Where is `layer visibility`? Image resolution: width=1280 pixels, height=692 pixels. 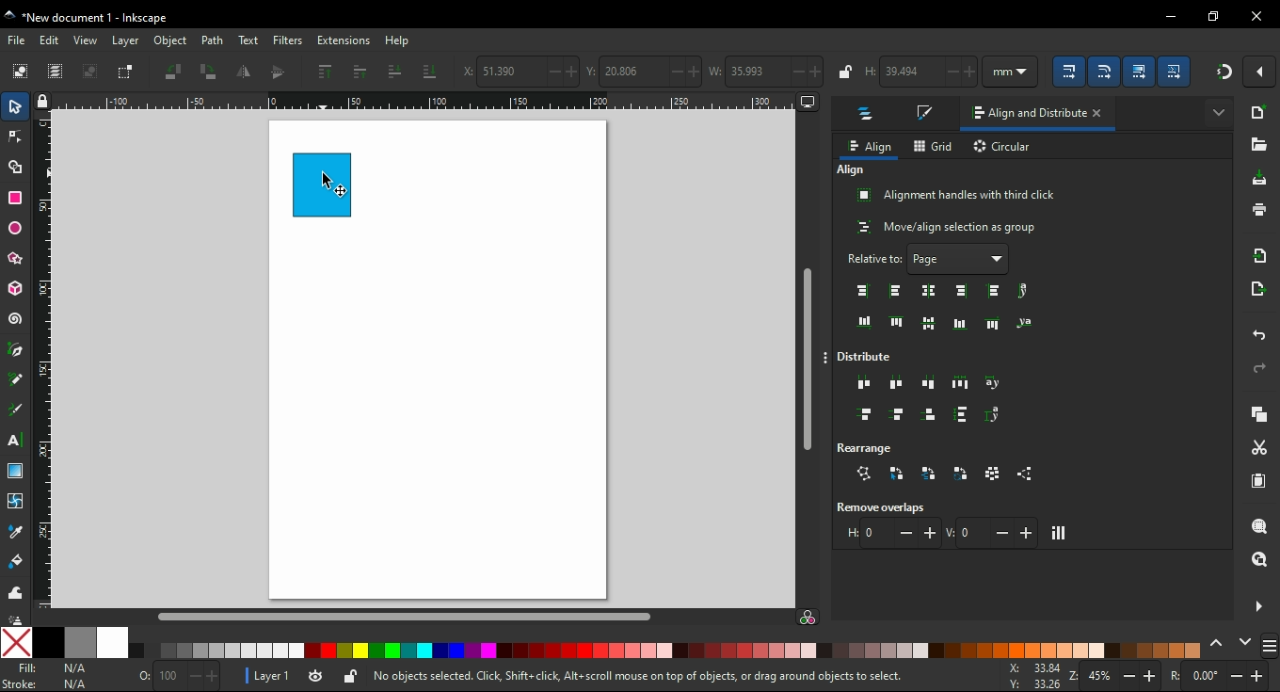
layer visibility is located at coordinates (314, 674).